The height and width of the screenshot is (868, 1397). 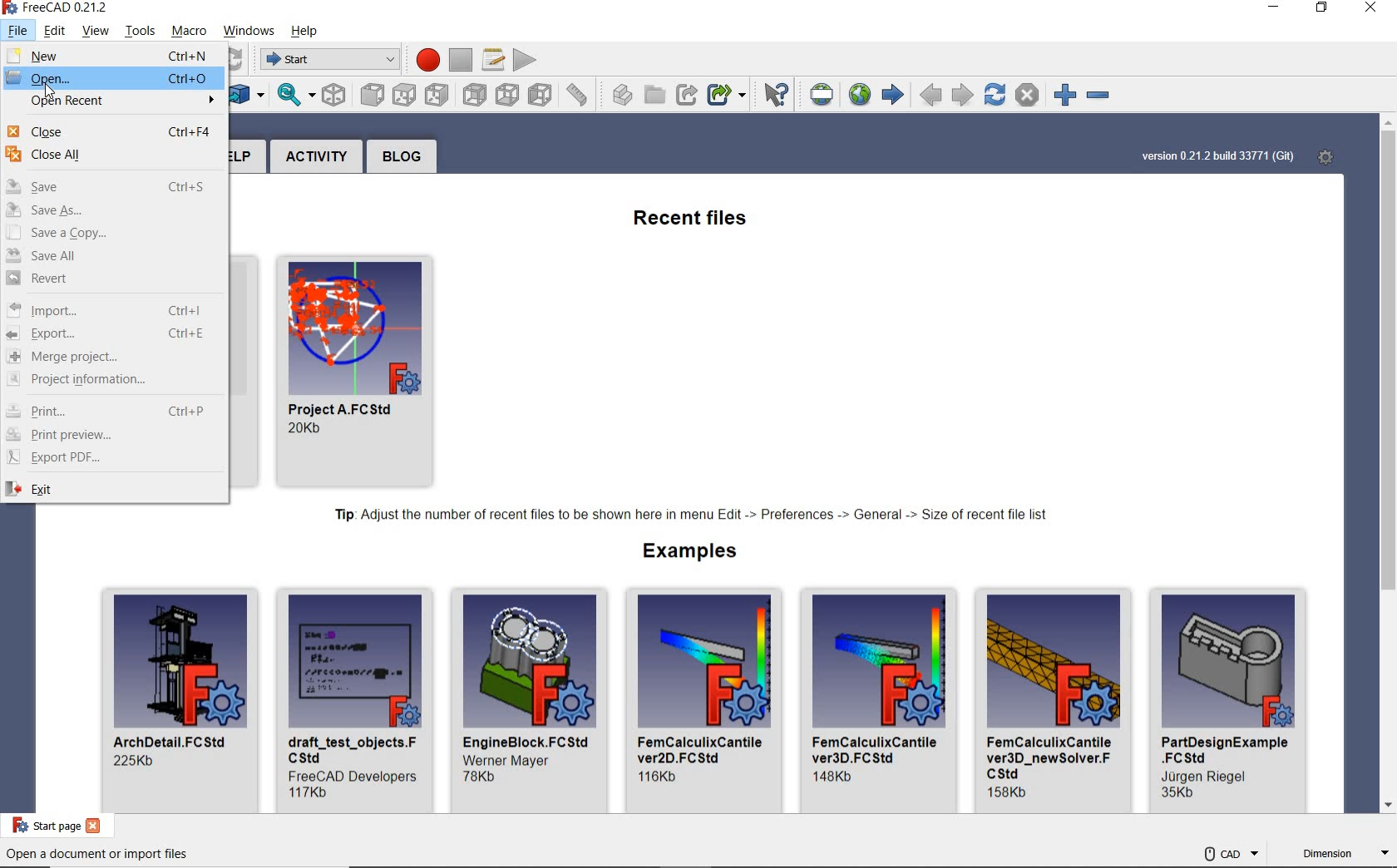 I want to click on START PAGE, so click(x=892, y=96).